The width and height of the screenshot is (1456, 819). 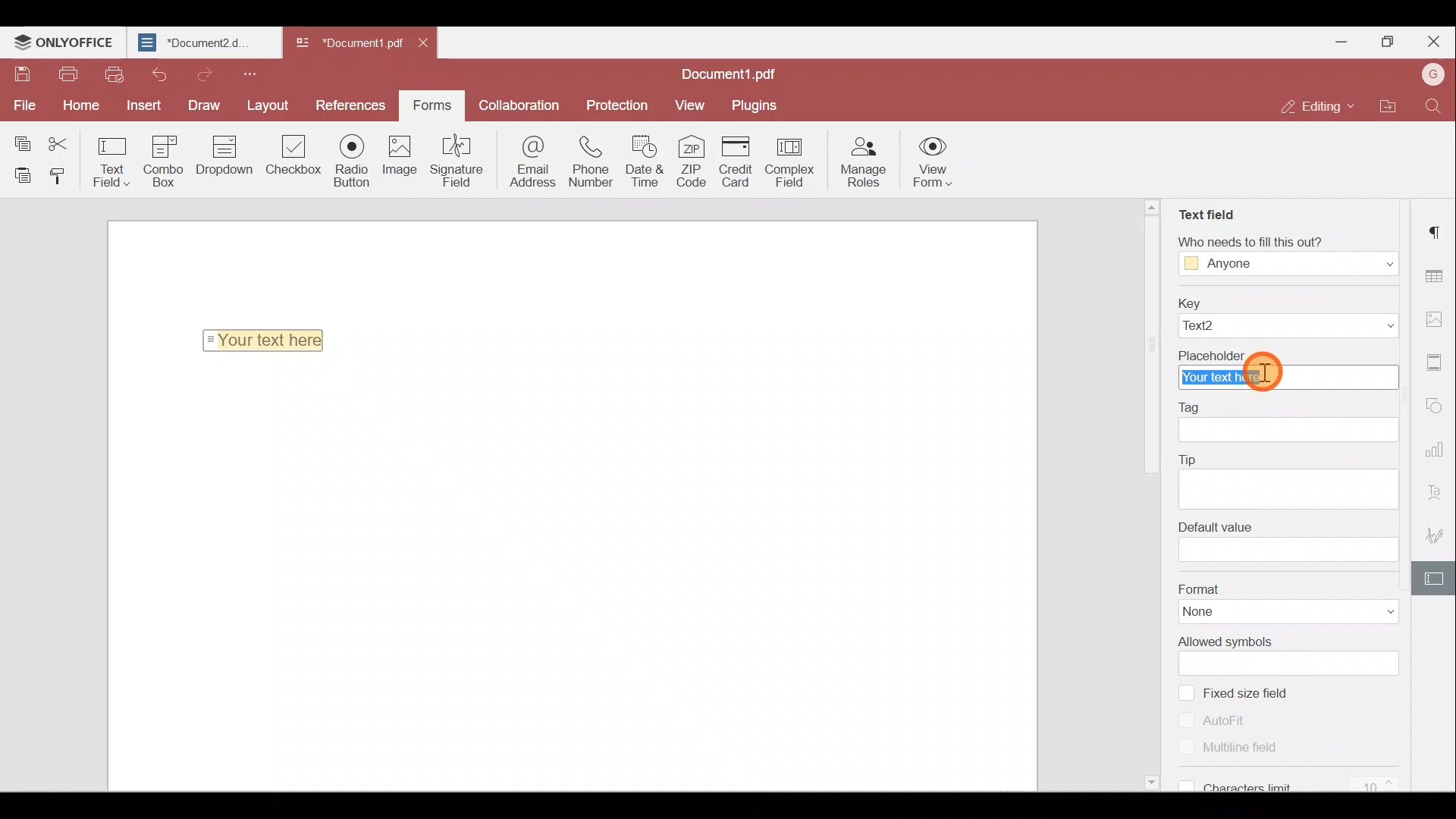 I want to click on Signature settings, so click(x=1438, y=532).